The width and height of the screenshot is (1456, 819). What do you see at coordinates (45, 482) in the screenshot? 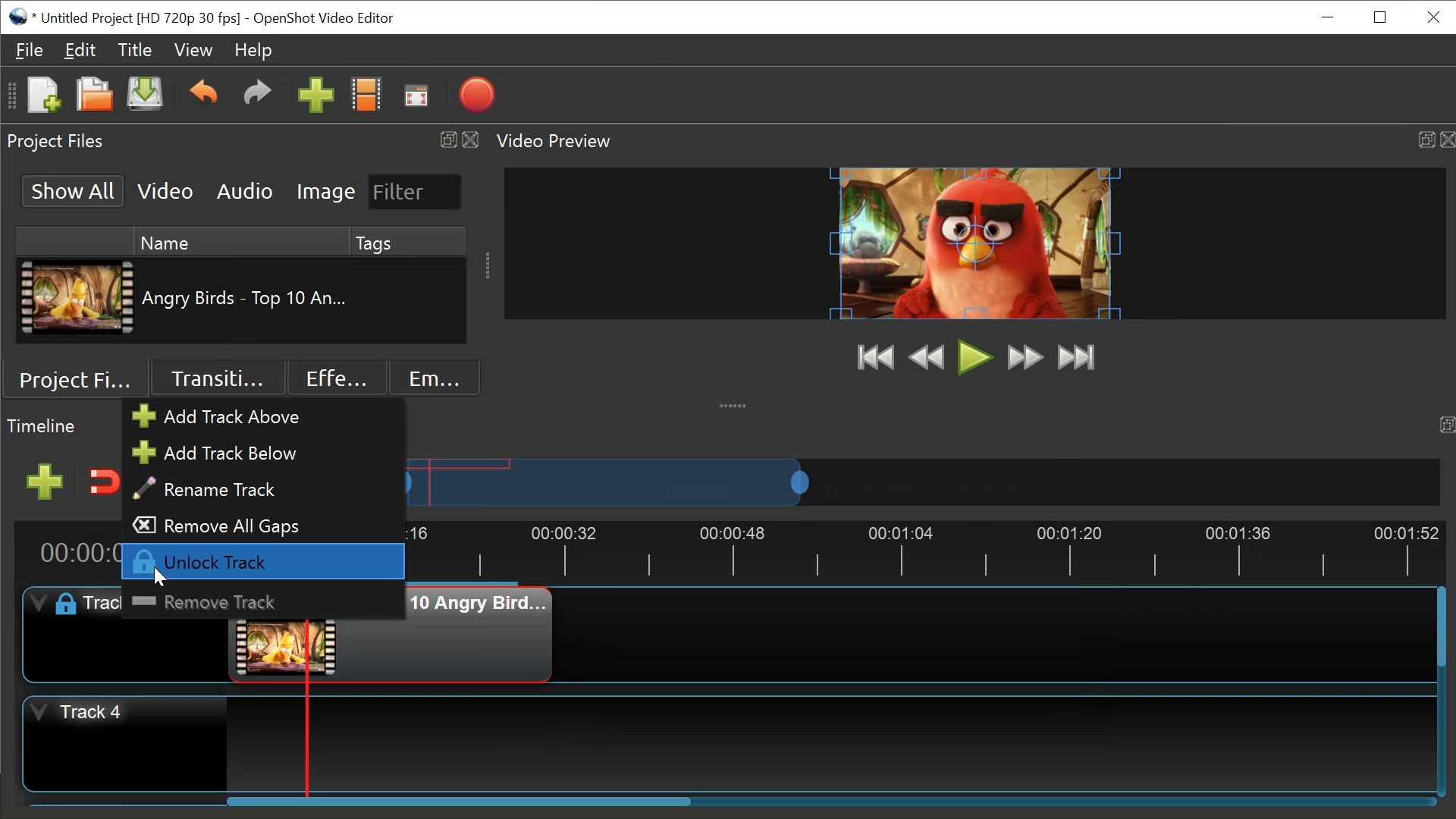
I see `Add Track` at bounding box center [45, 482].